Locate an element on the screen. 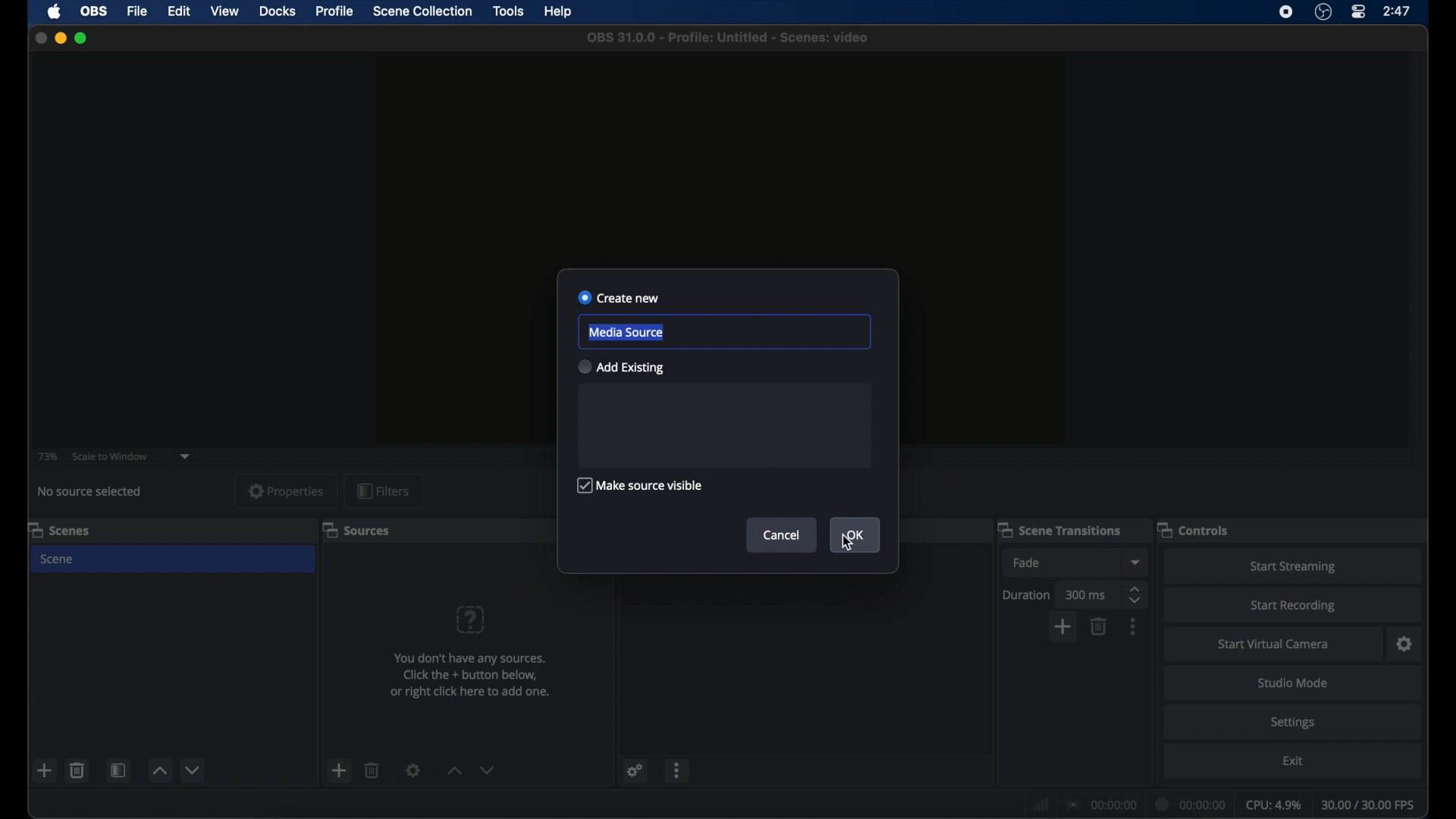  cancel is located at coordinates (782, 535).